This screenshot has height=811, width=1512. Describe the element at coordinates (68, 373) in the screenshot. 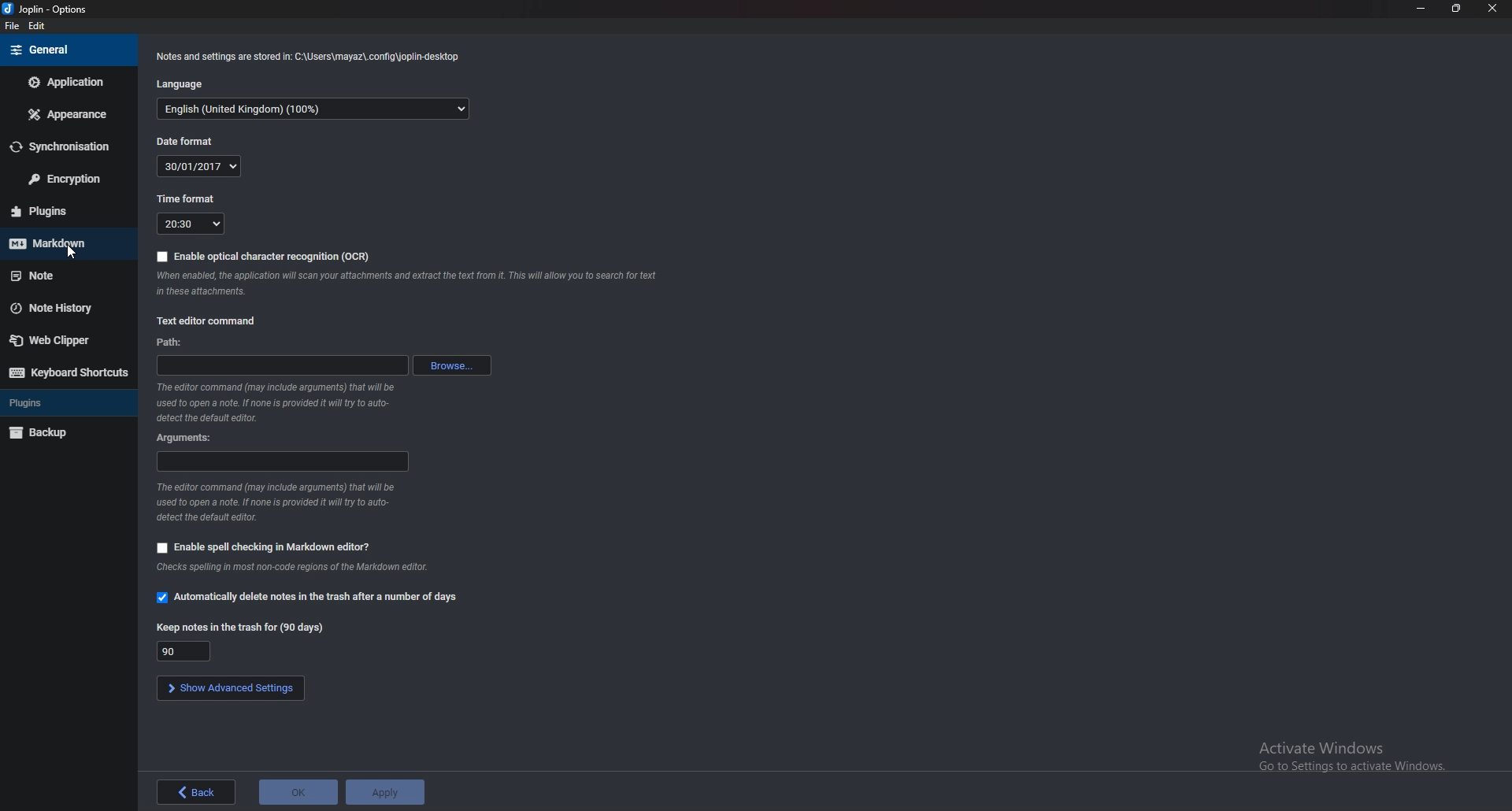

I see `Keyboard shortcut` at that location.